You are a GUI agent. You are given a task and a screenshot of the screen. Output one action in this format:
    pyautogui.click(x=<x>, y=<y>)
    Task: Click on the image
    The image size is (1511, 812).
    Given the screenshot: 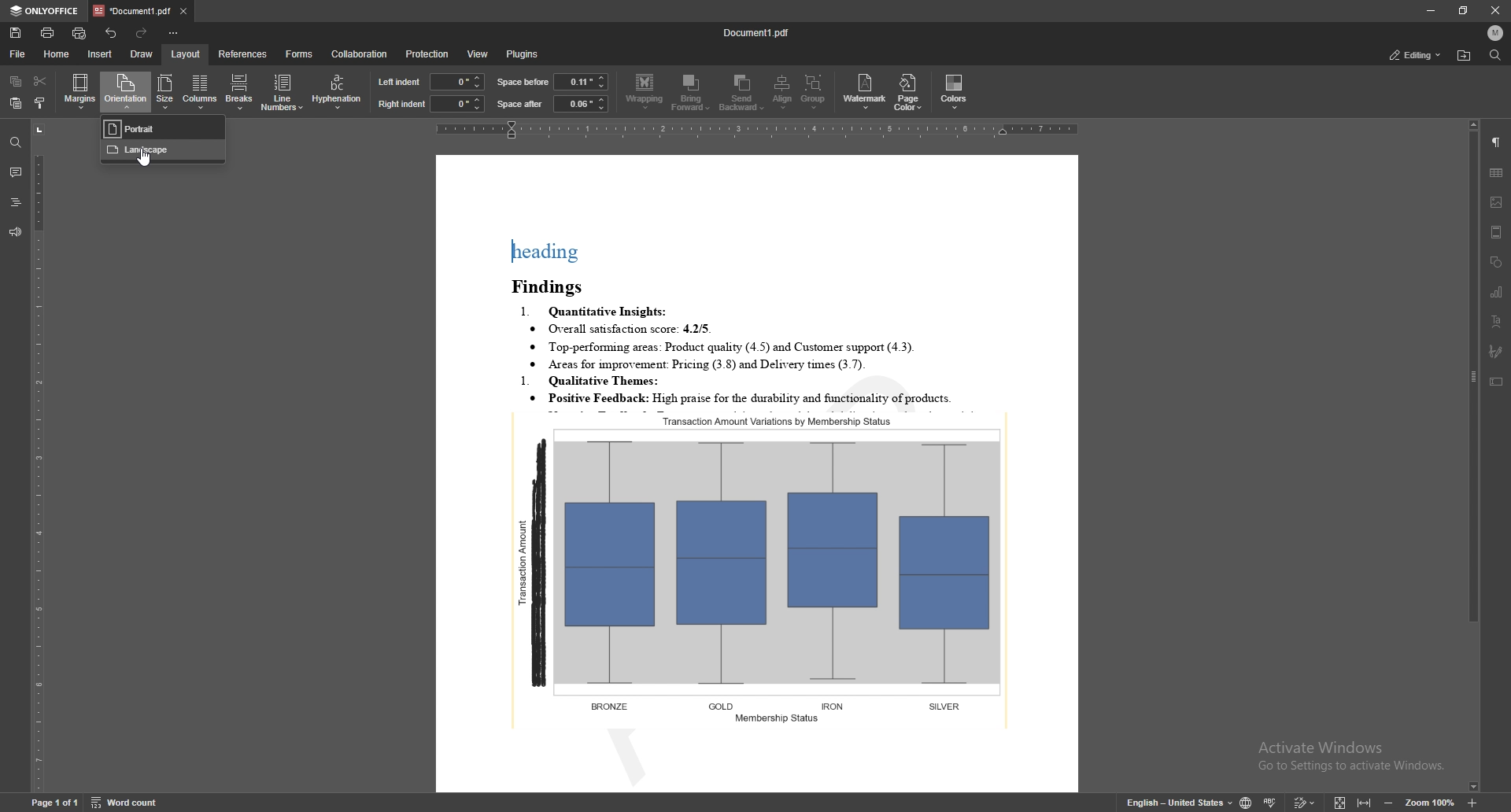 What is the action you would take?
    pyautogui.click(x=1498, y=202)
    